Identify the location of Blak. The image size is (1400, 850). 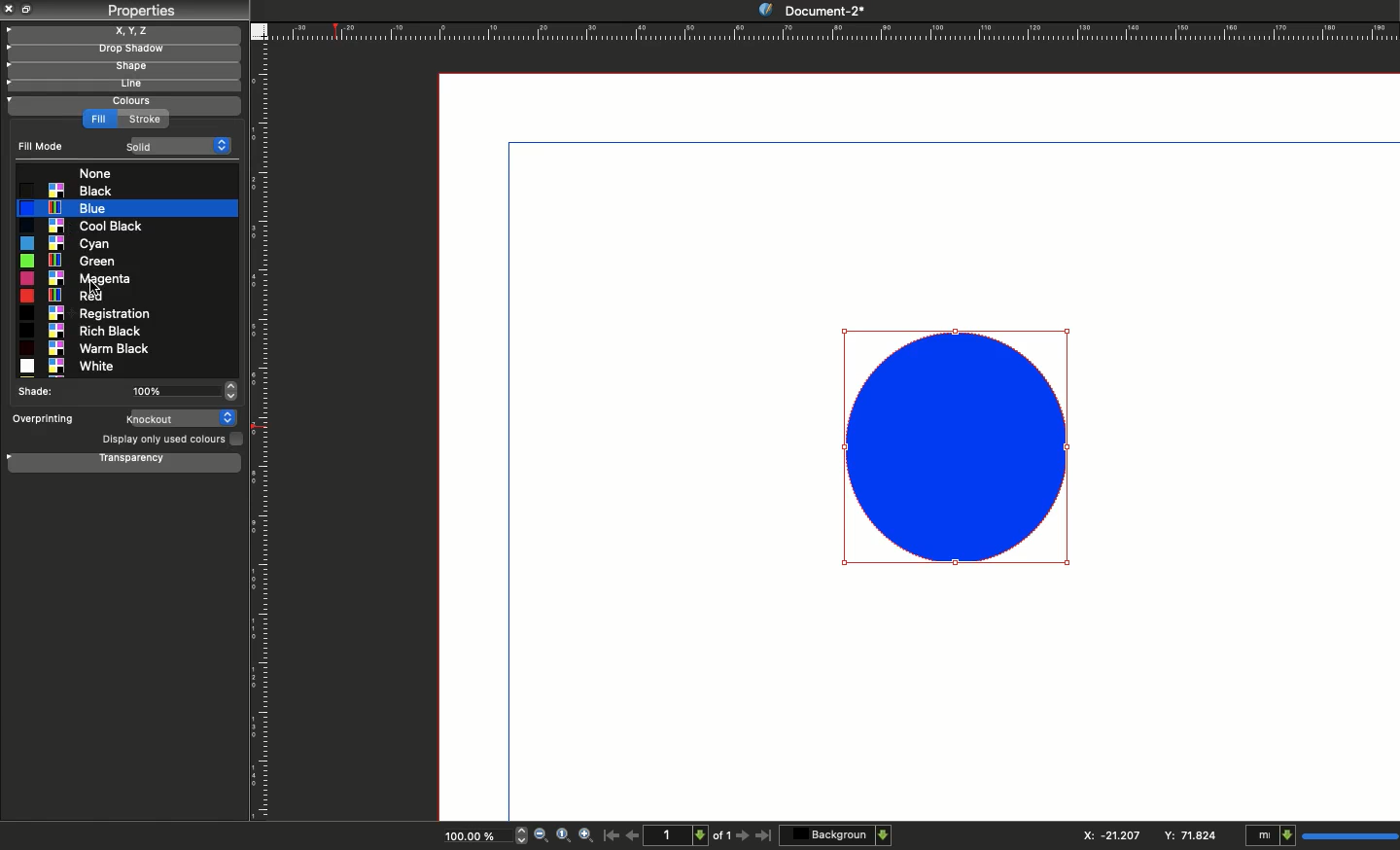
(77, 192).